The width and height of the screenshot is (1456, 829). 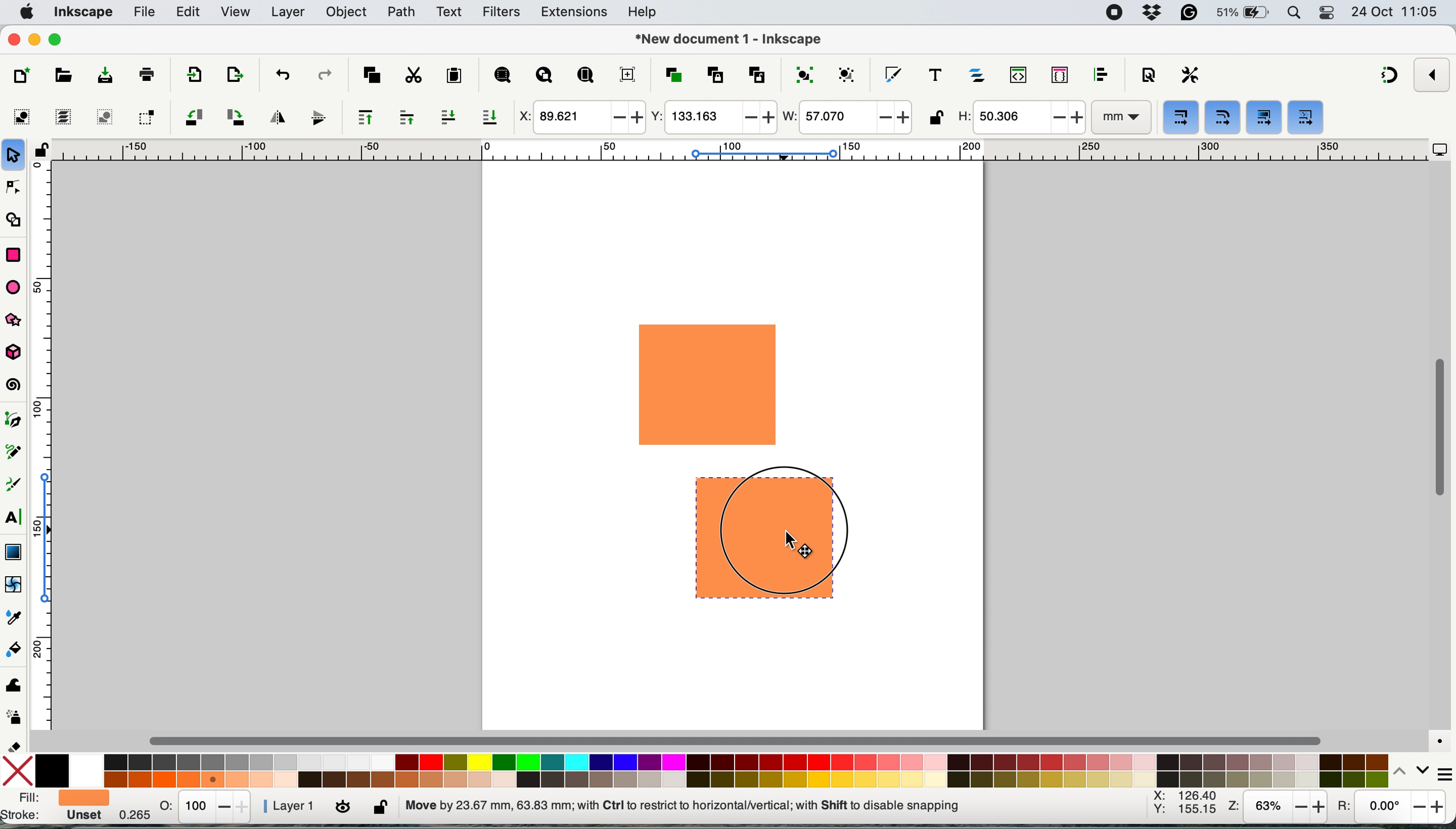 I want to click on calligraphy tool, so click(x=15, y=485).